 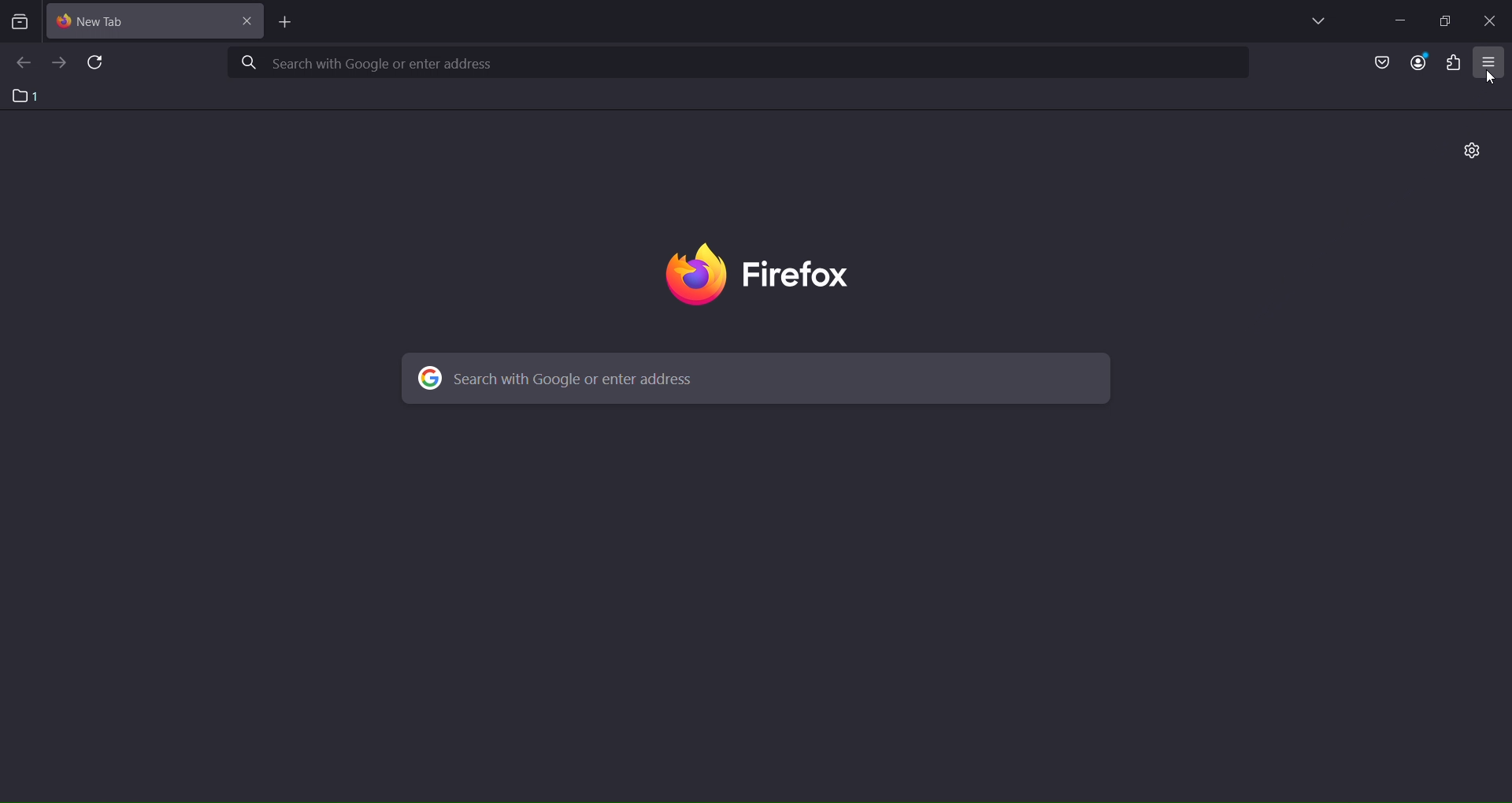 I want to click on firefox, so click(x=760, y=277).